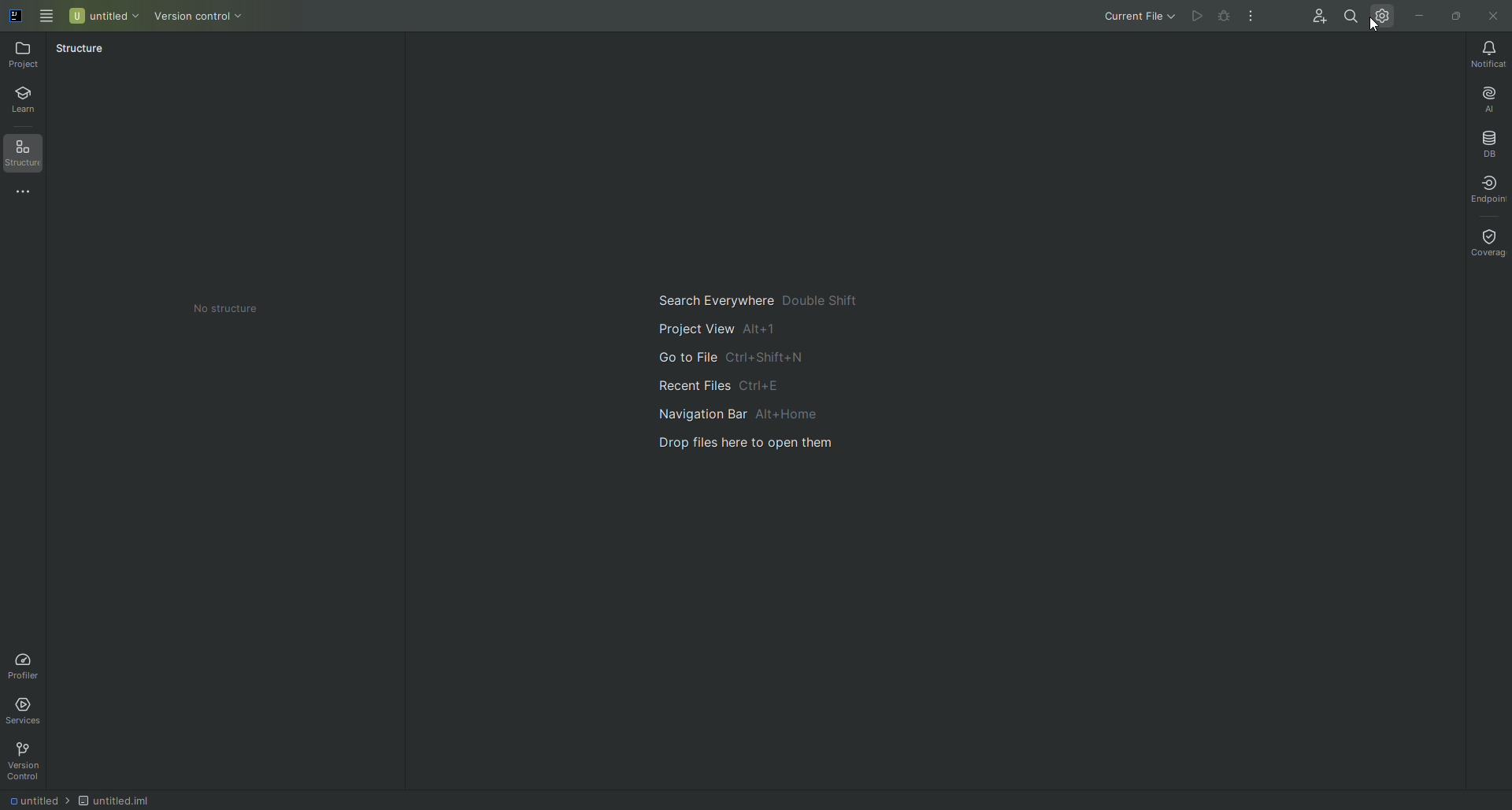  Describe the element at coordinates (762, 359) in the screenshot. I see `go to file` at that location.